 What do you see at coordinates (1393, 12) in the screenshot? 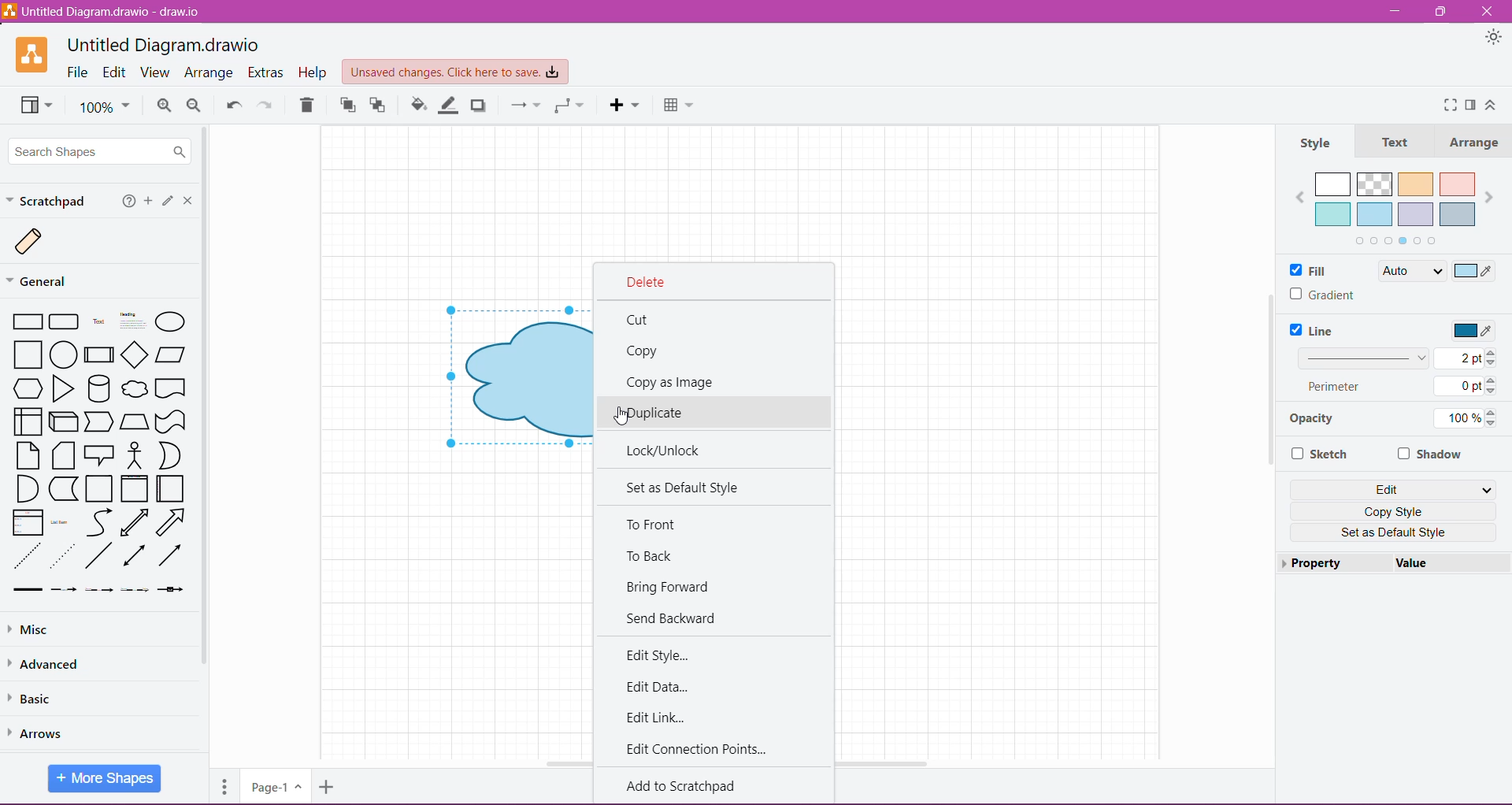
I see `Minimize` at bounding box center [1393, 12].